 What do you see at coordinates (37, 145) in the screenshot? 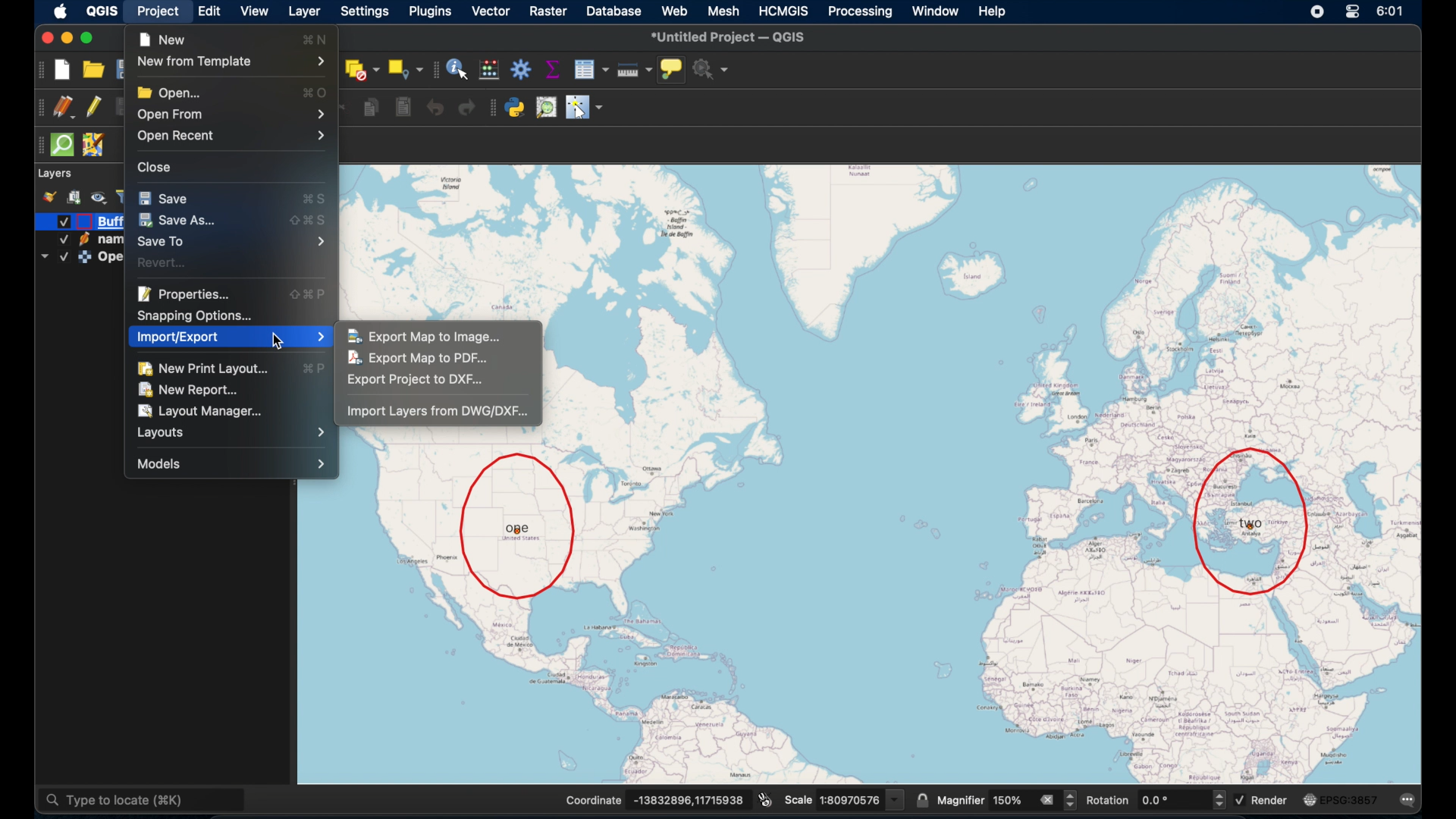
I see `drag handle` at bounding box center [37, 145].